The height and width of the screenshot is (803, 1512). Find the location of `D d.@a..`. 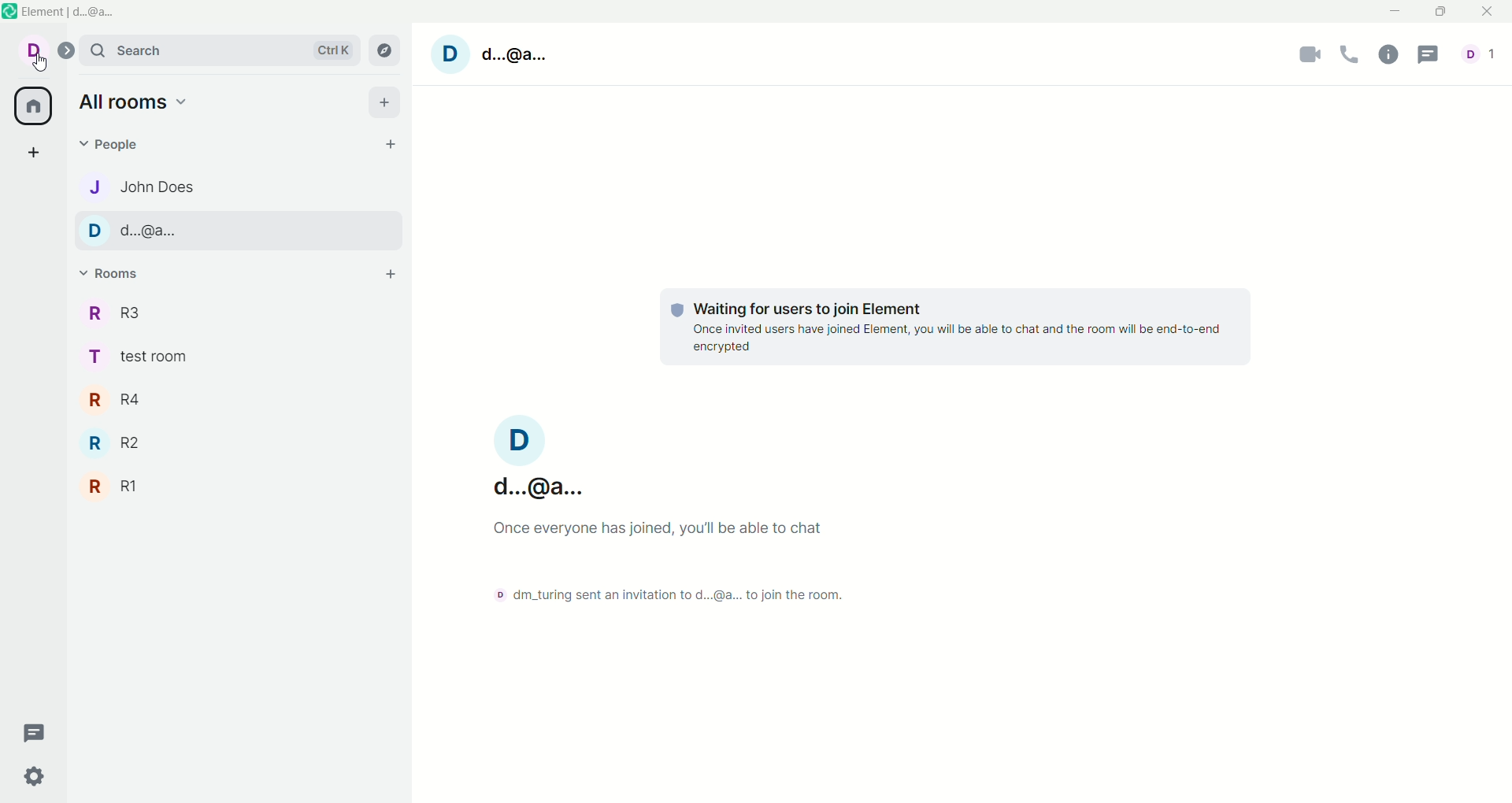

D d.@a.. is located at coordinates (511, 57).